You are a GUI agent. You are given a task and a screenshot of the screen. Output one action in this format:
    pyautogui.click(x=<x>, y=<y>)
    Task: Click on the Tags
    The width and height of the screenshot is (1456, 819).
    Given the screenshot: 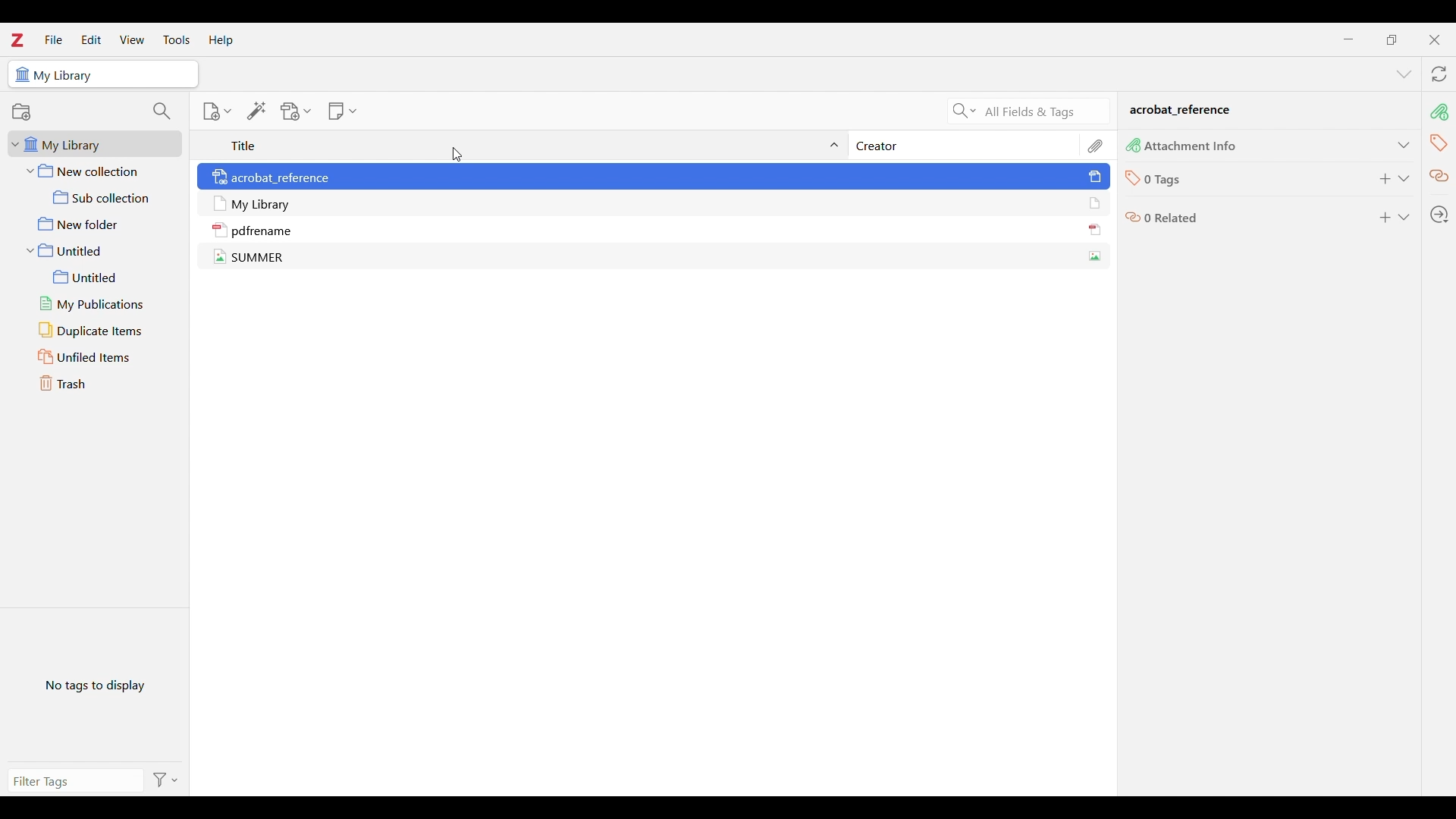 What is the action you would take?
    pyautogui.click(x=1439, y=143)
    